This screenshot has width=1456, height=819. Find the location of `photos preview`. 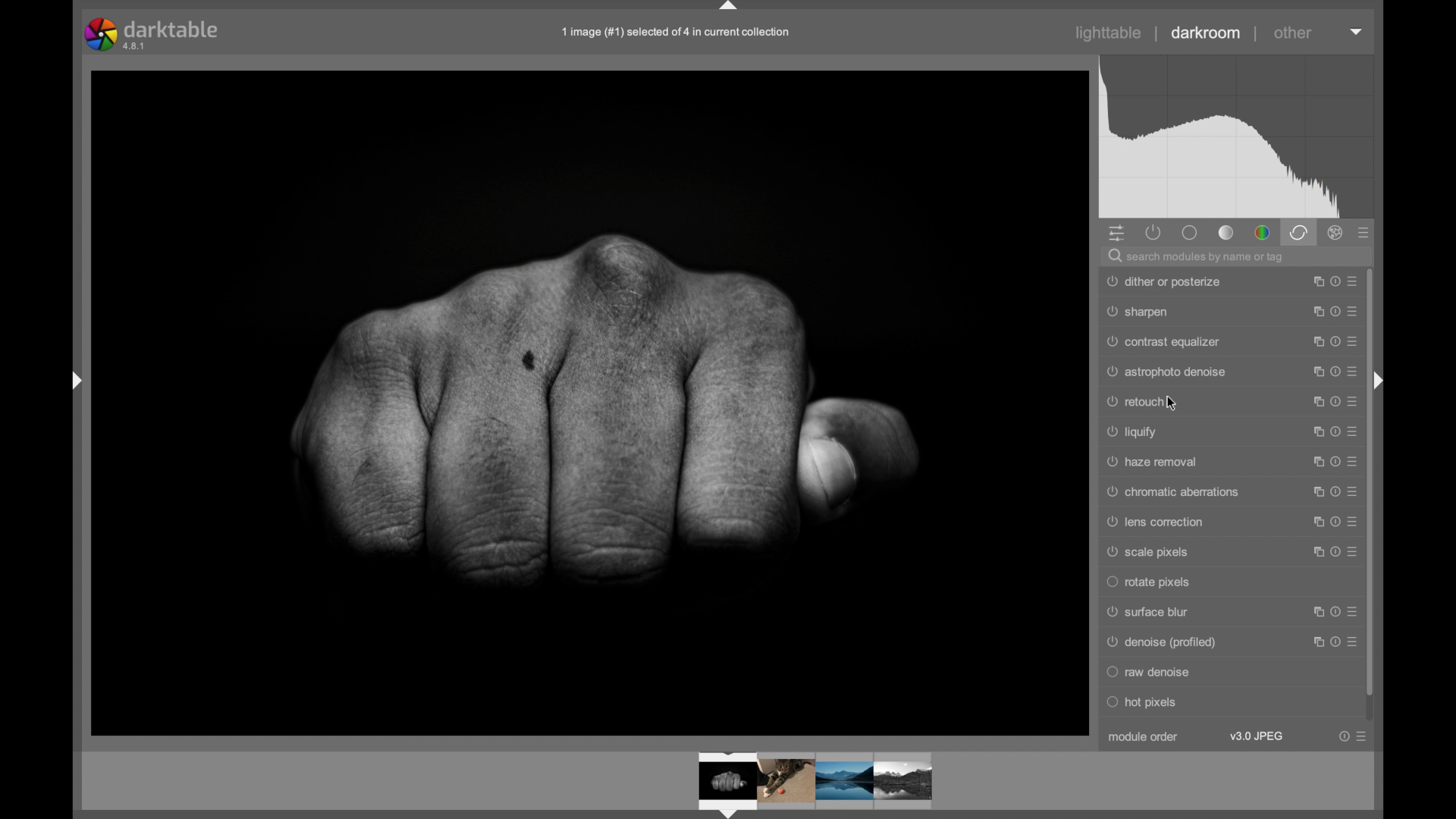

photos preview is located at coordinates (816, 783).